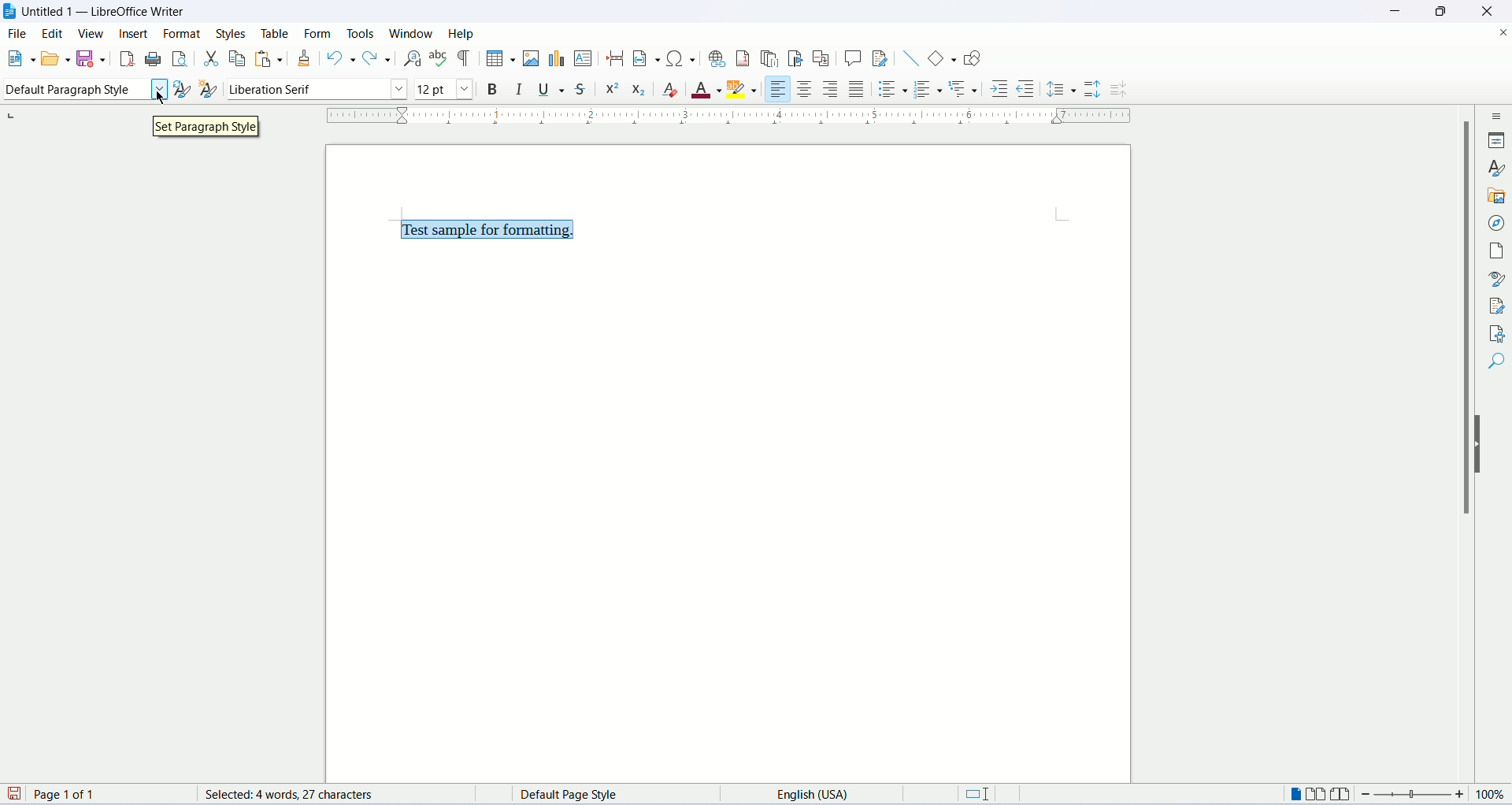  What do you see at coordinates (264, 58) in the screenshot?
I see `paste` at bounding box center [264, 58].